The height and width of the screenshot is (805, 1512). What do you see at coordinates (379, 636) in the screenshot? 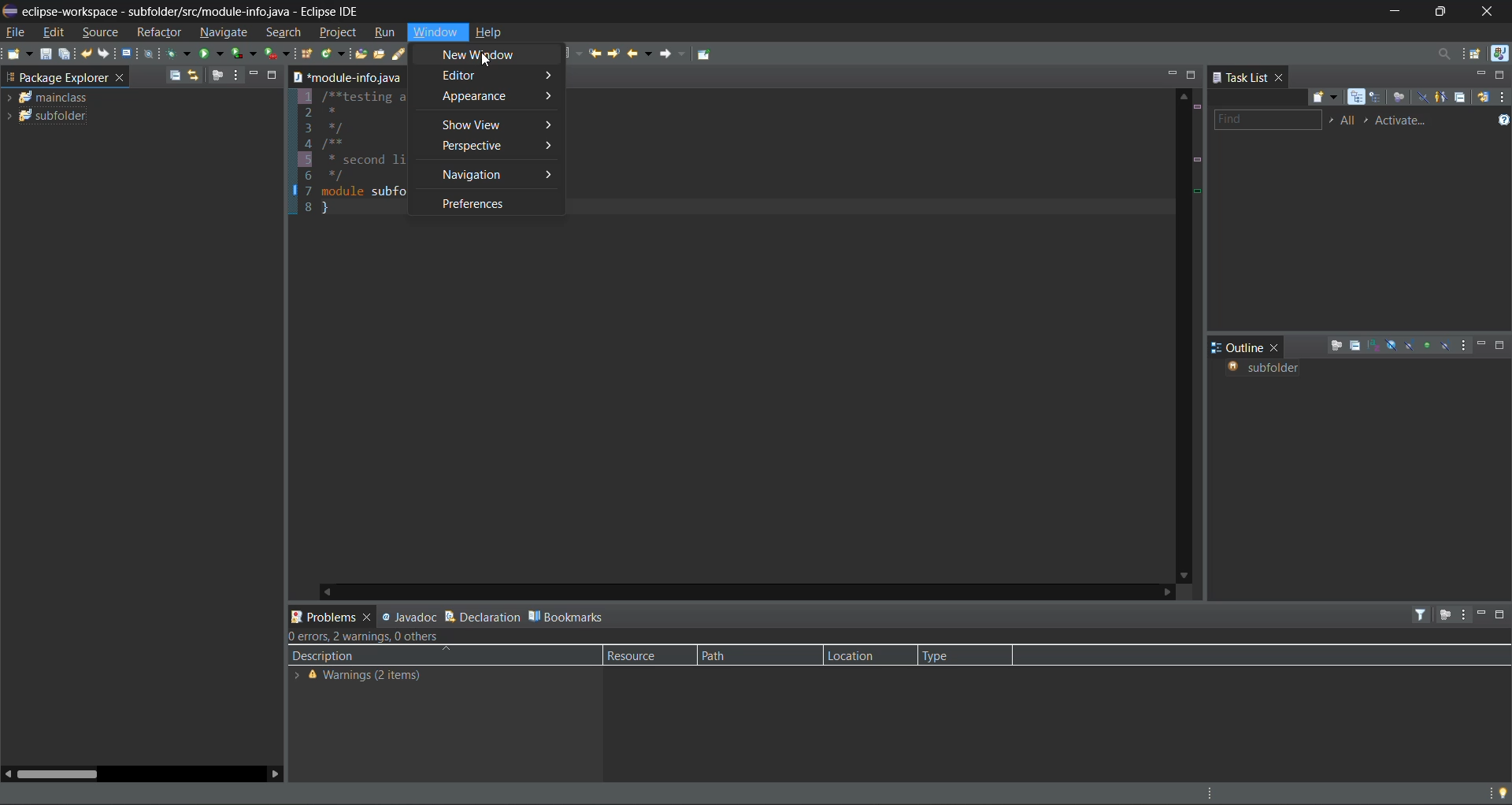
I see `metadata` at bounding box center [379, 636].